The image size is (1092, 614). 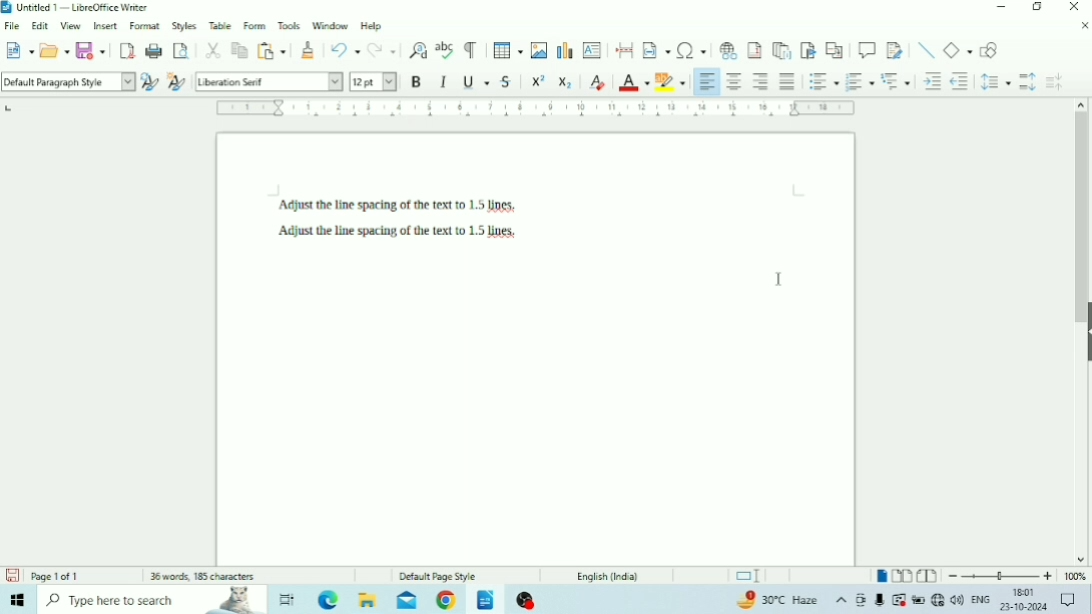 What do you see at coordinates (756, 49) in the screenshot?
I see `Insert Footnote` at bounding box center [756, 49].